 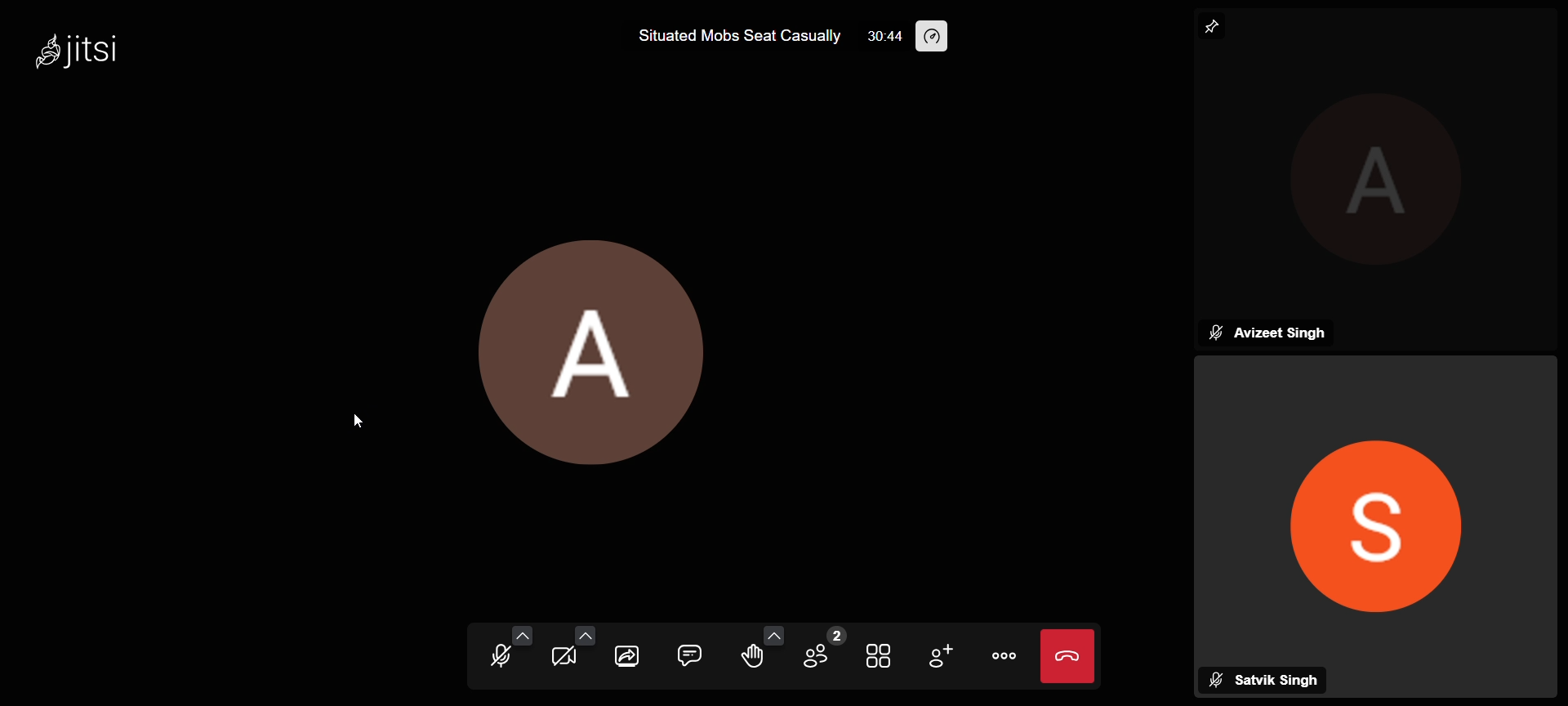 What do you see at coordinates (944, 655) in the screenshot?
I see `invite people` at bounding box center [944, 655].